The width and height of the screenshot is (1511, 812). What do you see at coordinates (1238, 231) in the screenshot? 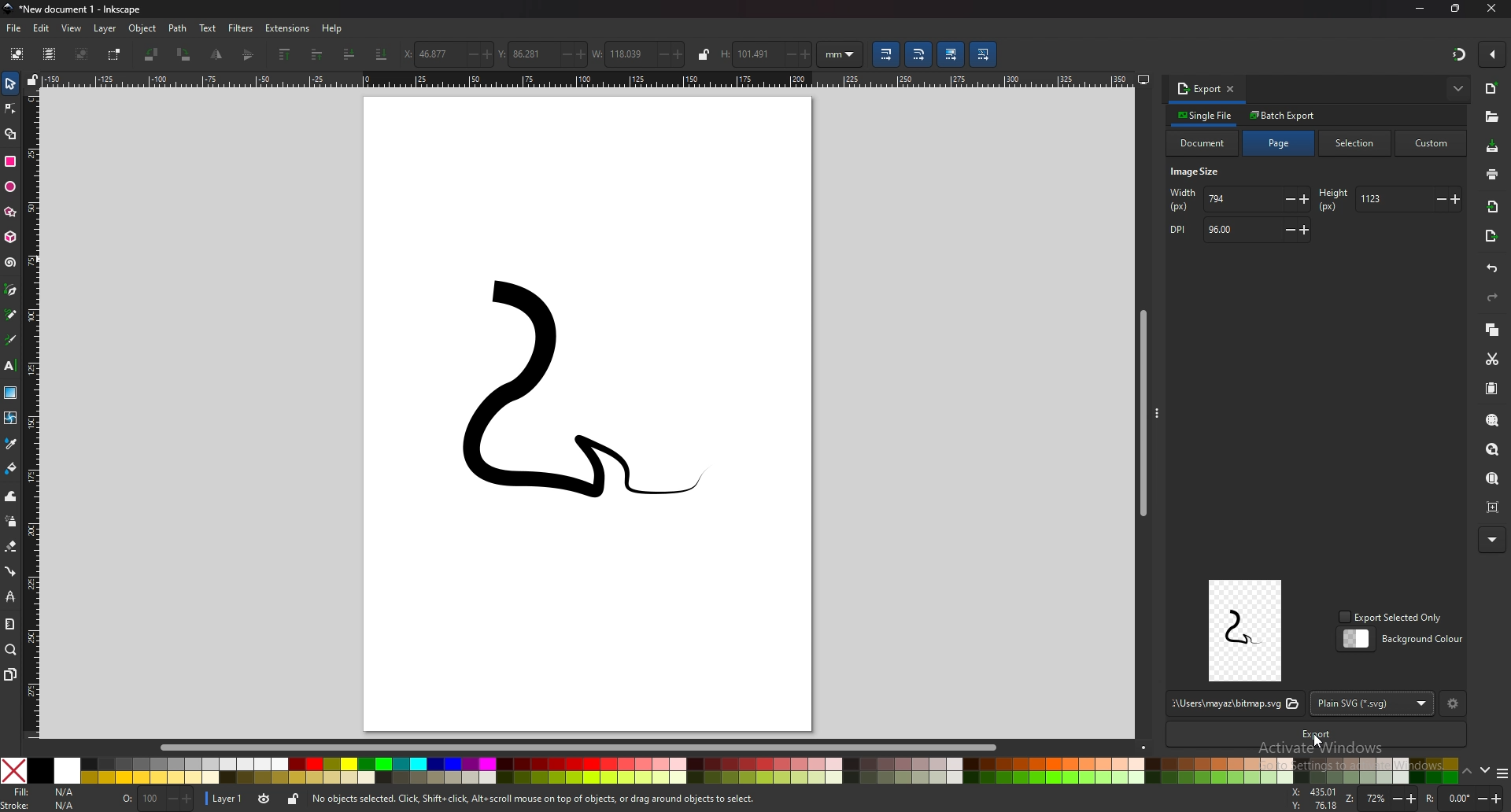
I see `dpi` at bounding box center [1238, 231].